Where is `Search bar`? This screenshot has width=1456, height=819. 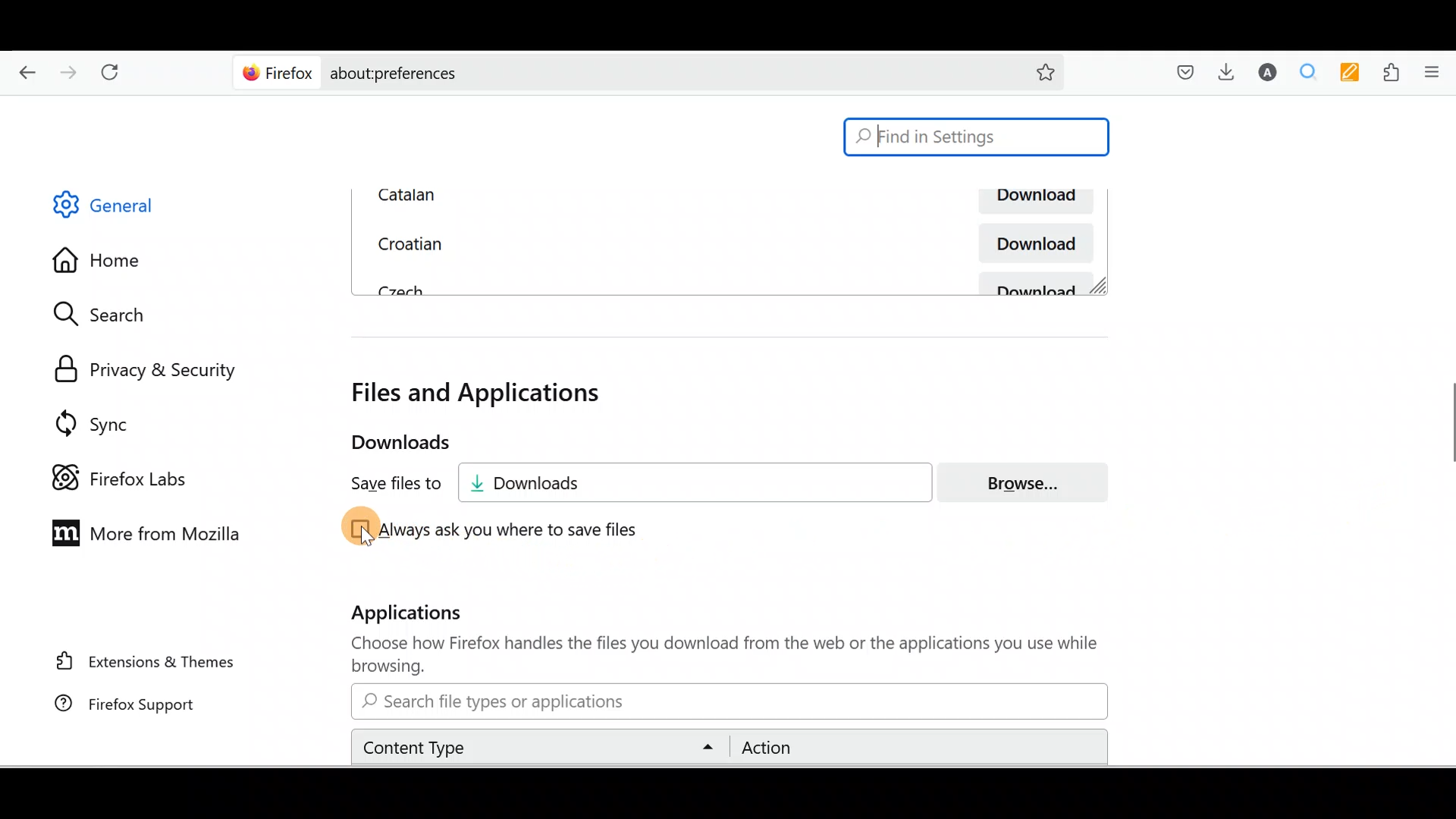
Search bar is located at coordinates (726, 701).